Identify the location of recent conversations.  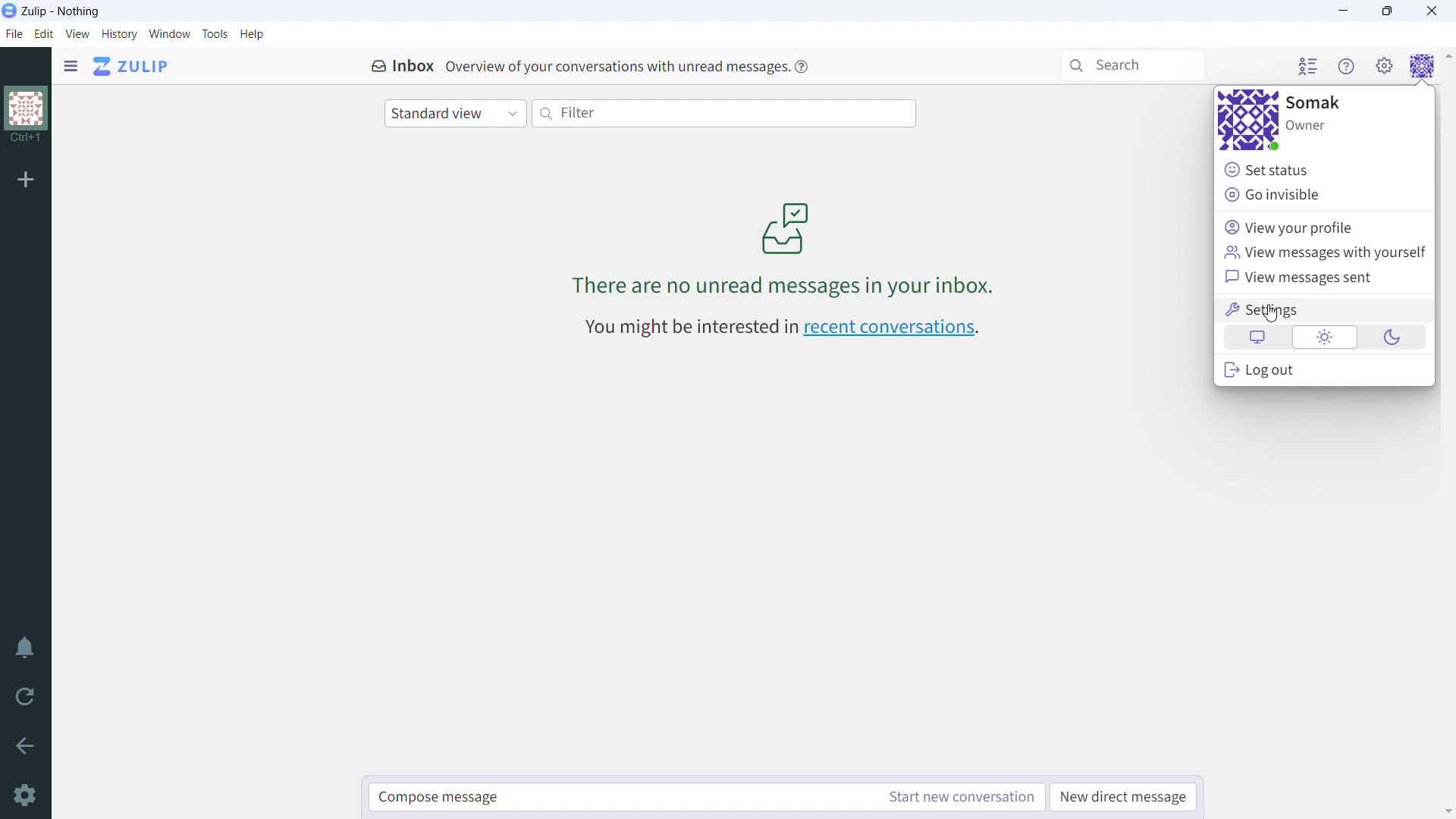
(892, 329).